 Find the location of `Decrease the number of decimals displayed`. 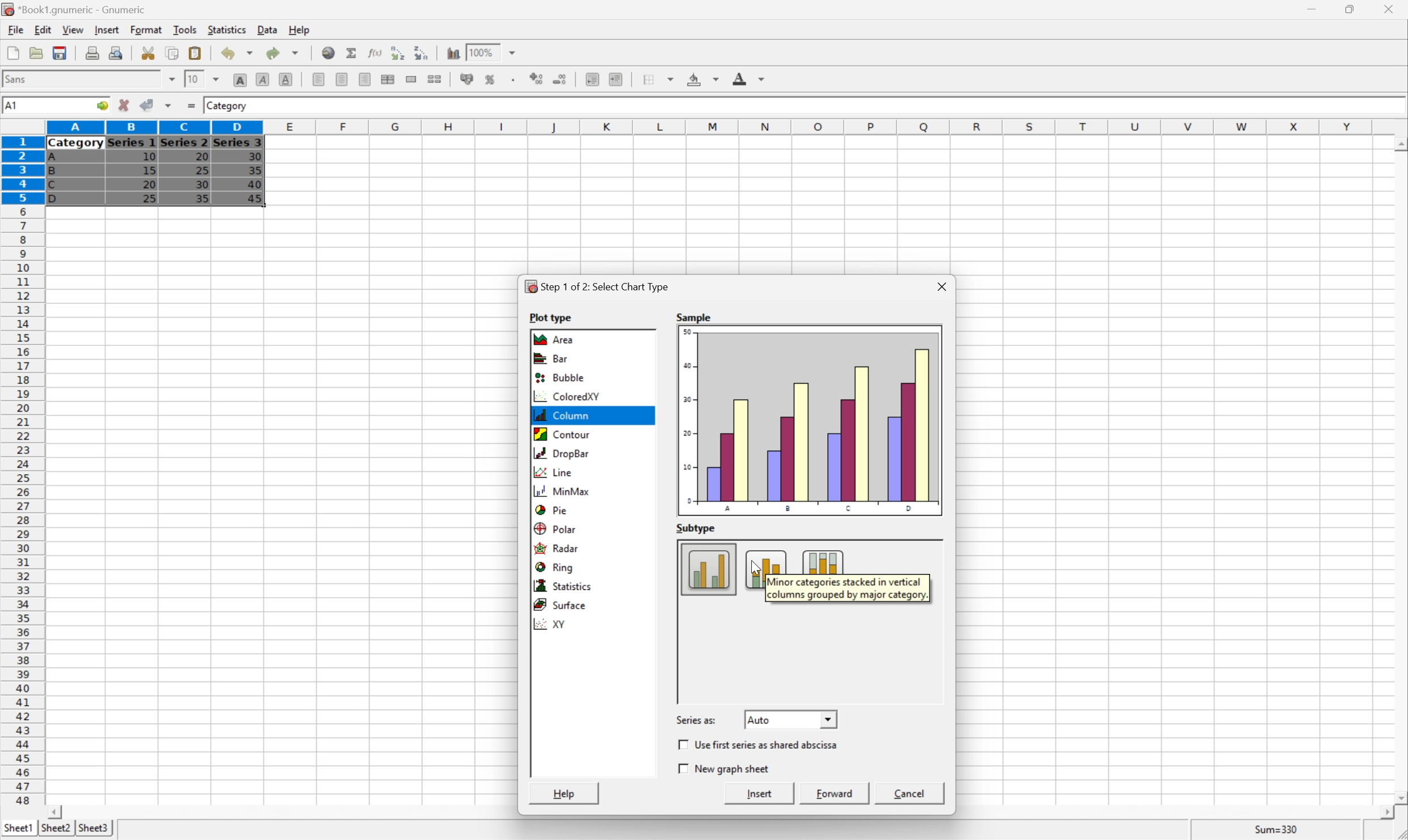

Decrease the number of decimals displayed is located at coordinates (559, 78).